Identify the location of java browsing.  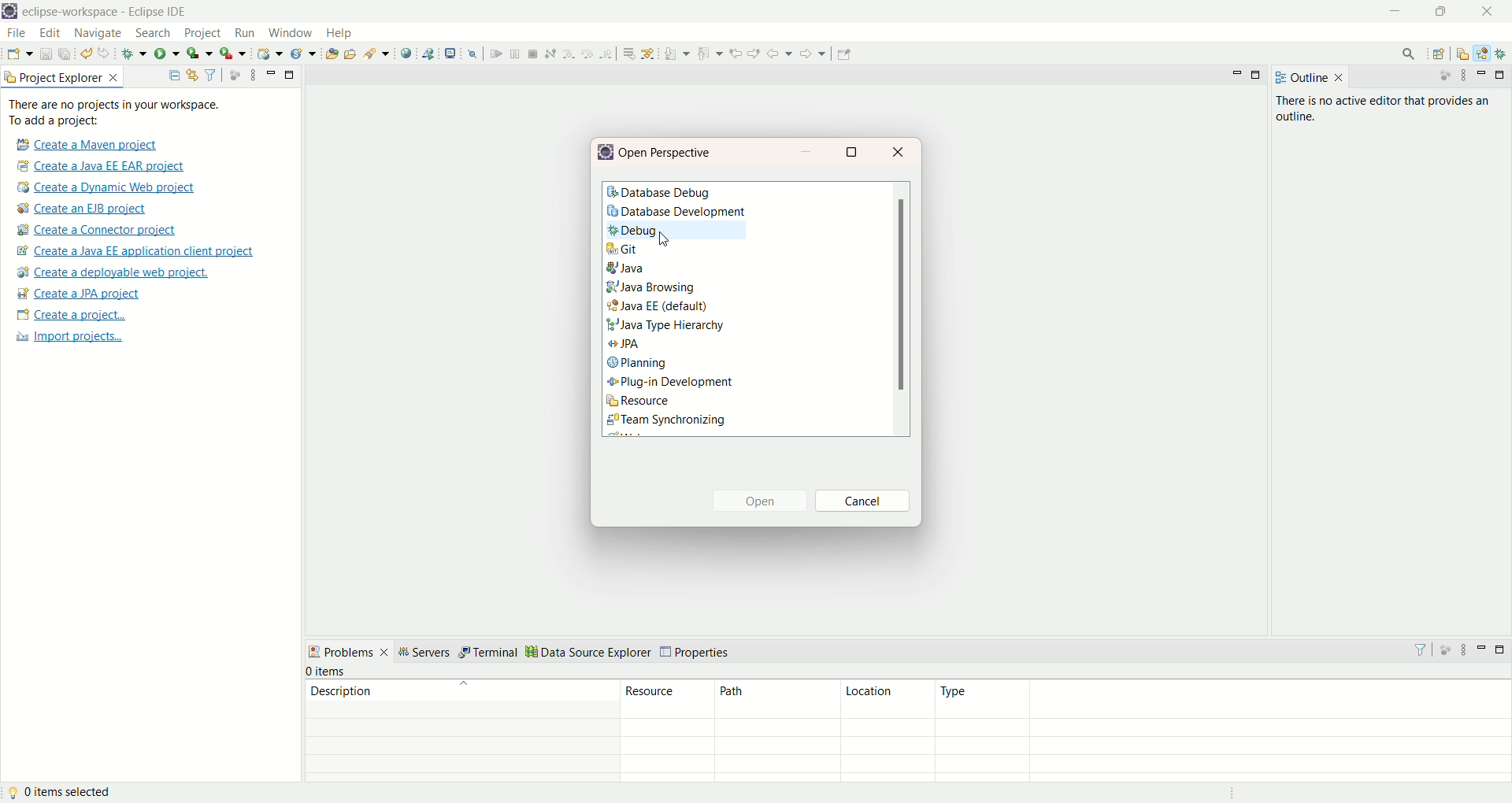
(651, 287).